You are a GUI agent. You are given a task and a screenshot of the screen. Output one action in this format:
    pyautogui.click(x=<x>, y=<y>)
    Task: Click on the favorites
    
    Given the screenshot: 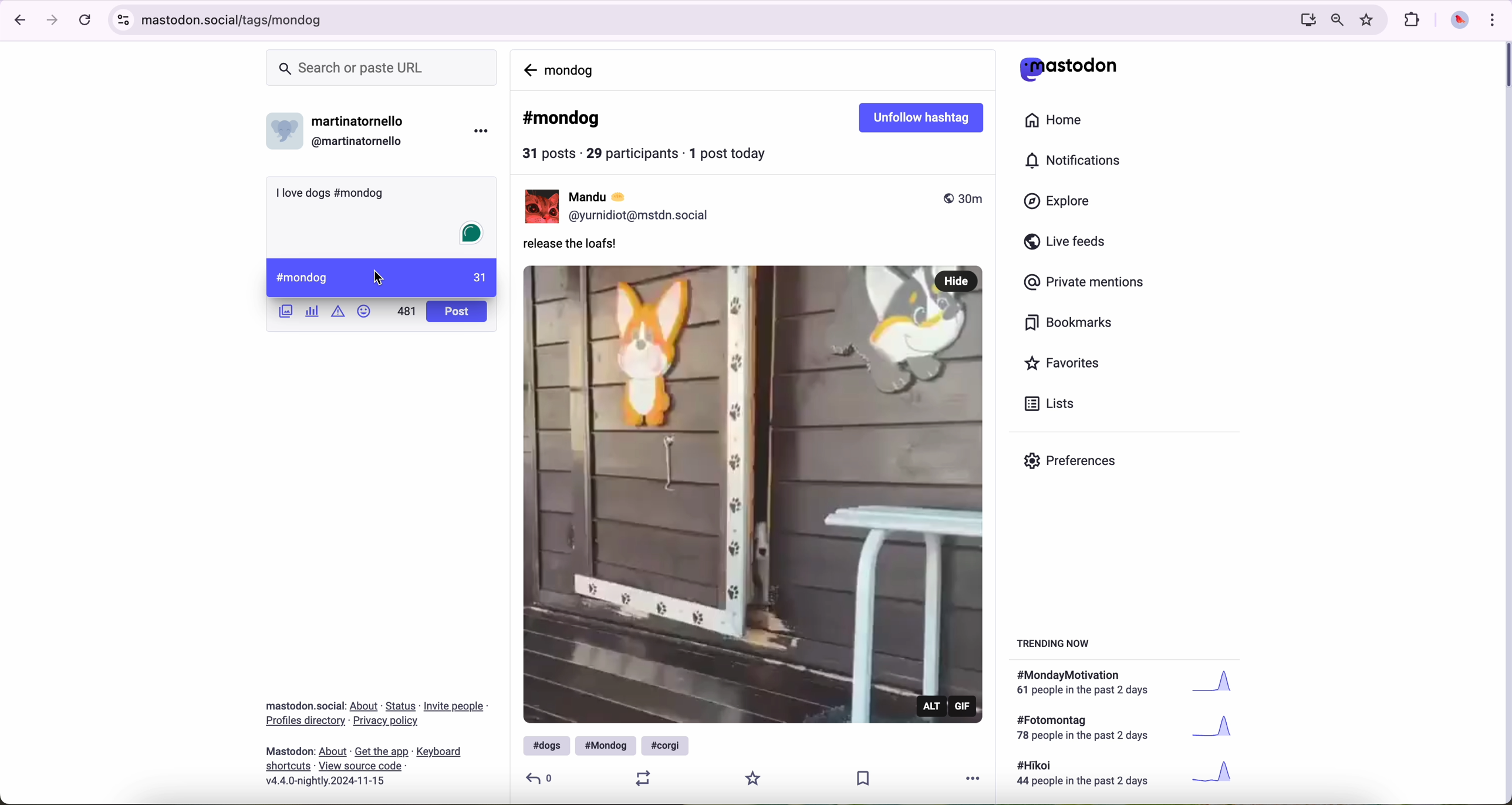 What is the action you would take?
    pyautogui.click(x=1064, y=363)
    